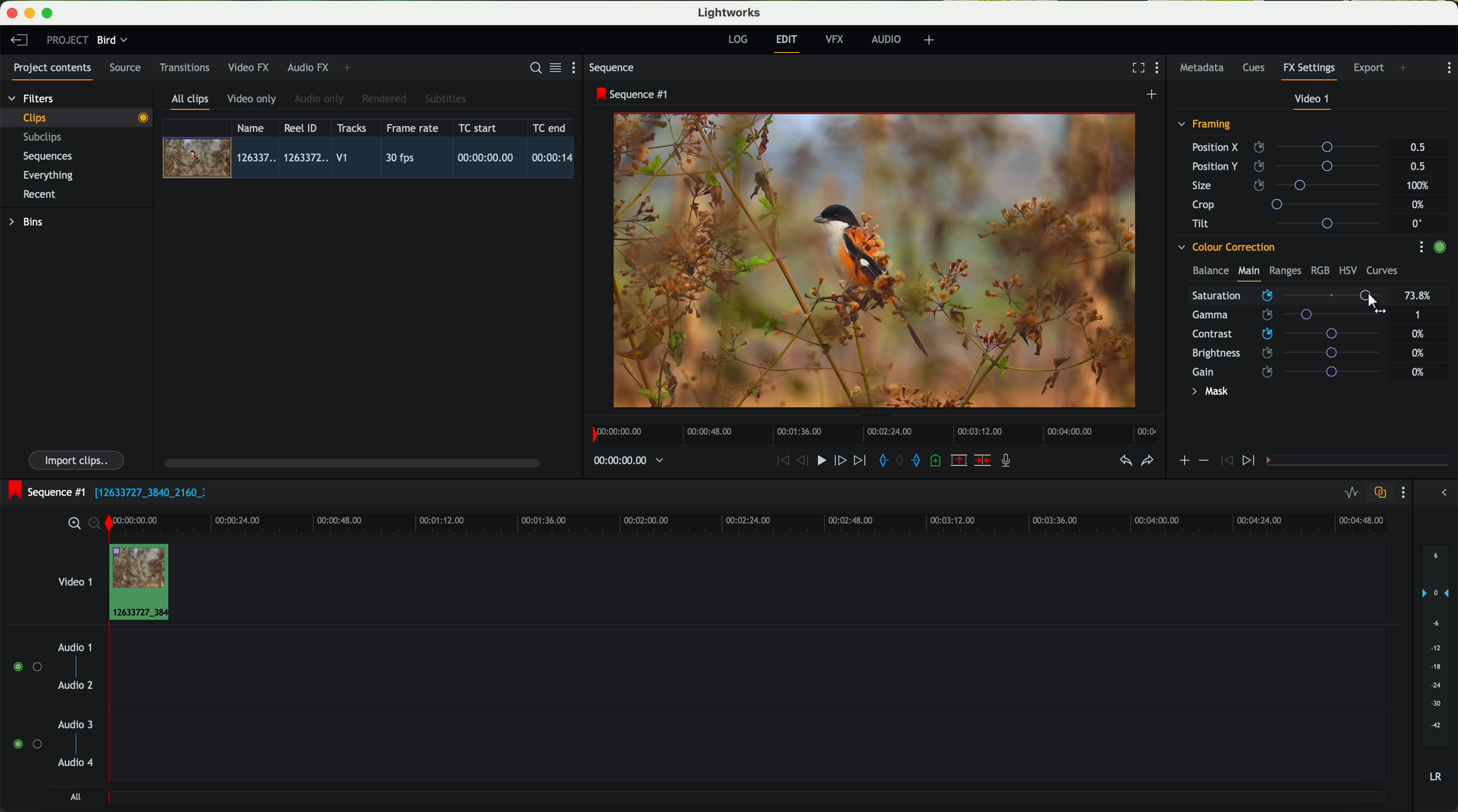 The height and width of the screenshot is (812, 1458). I want to click on toggle audio levels editing, so click(1351, 494).